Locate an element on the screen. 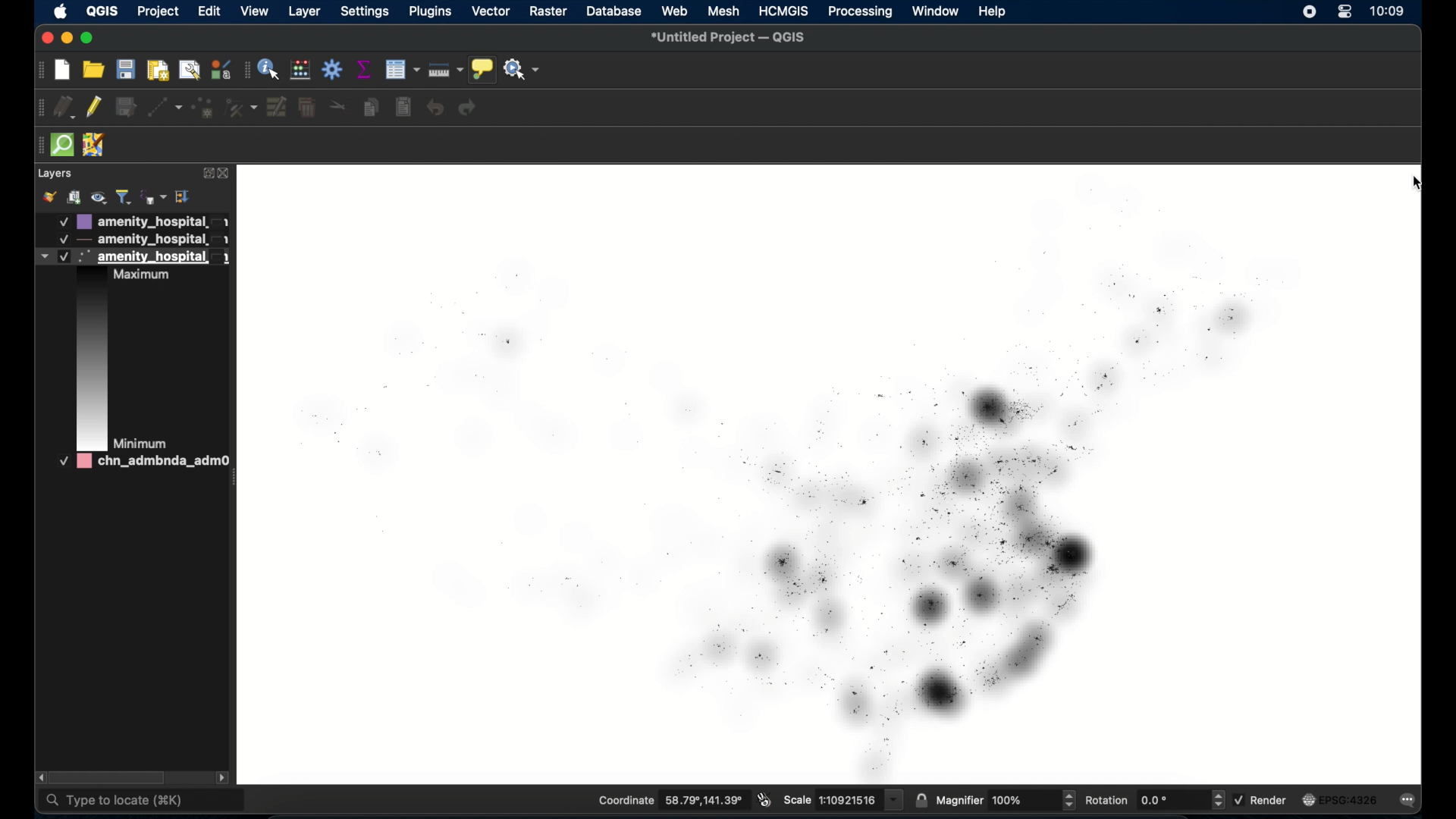 The width and height of the screenshot is (1456, 819). current crs is located at coordinates (1338, 800).